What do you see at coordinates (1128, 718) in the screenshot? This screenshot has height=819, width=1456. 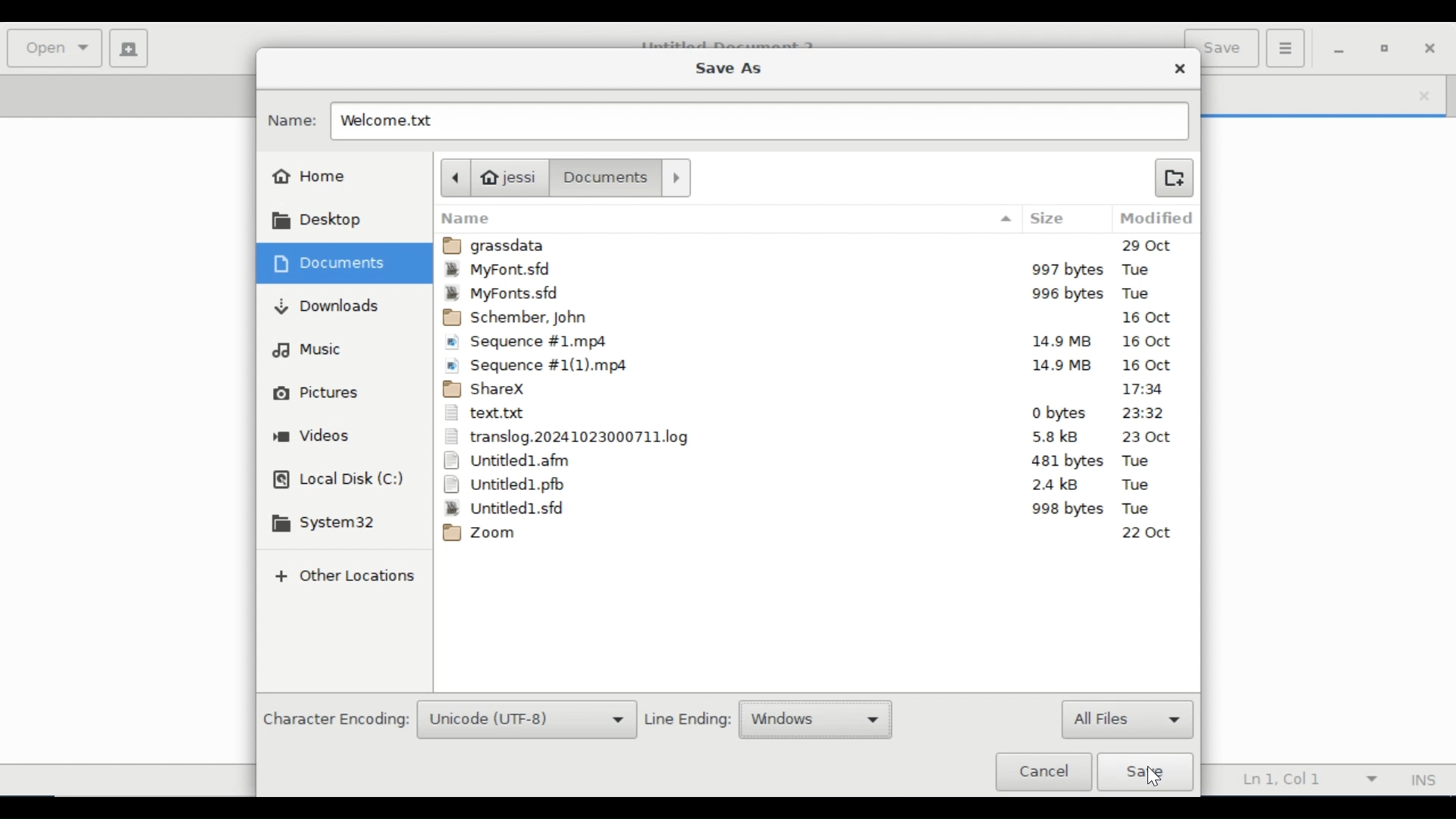 I see `All files` at bounding box center [1128, 718].